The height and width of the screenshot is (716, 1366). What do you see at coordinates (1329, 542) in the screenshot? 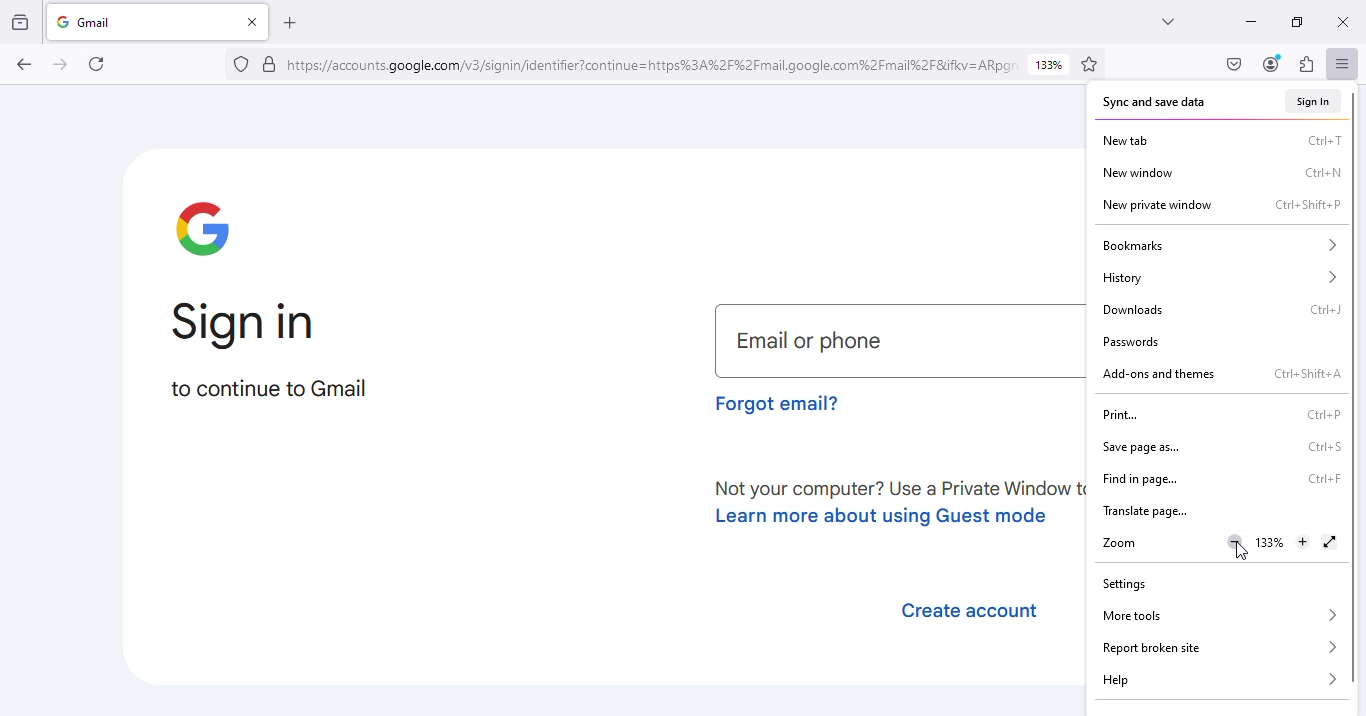
I see `display the window in full screen` at bounding box center [1329, 542].